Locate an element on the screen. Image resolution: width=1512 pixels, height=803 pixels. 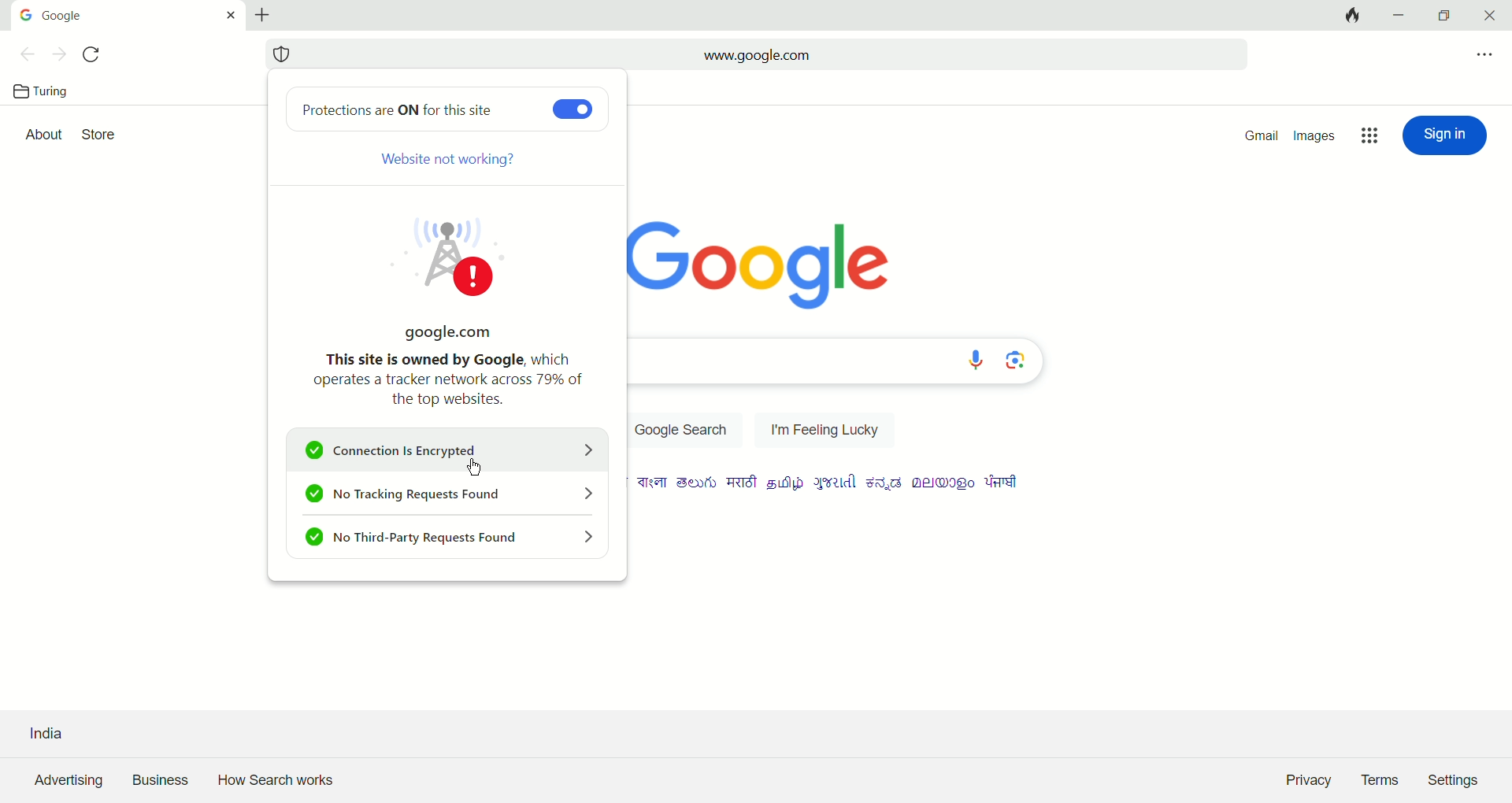
language is located at coordinates (946, 483).